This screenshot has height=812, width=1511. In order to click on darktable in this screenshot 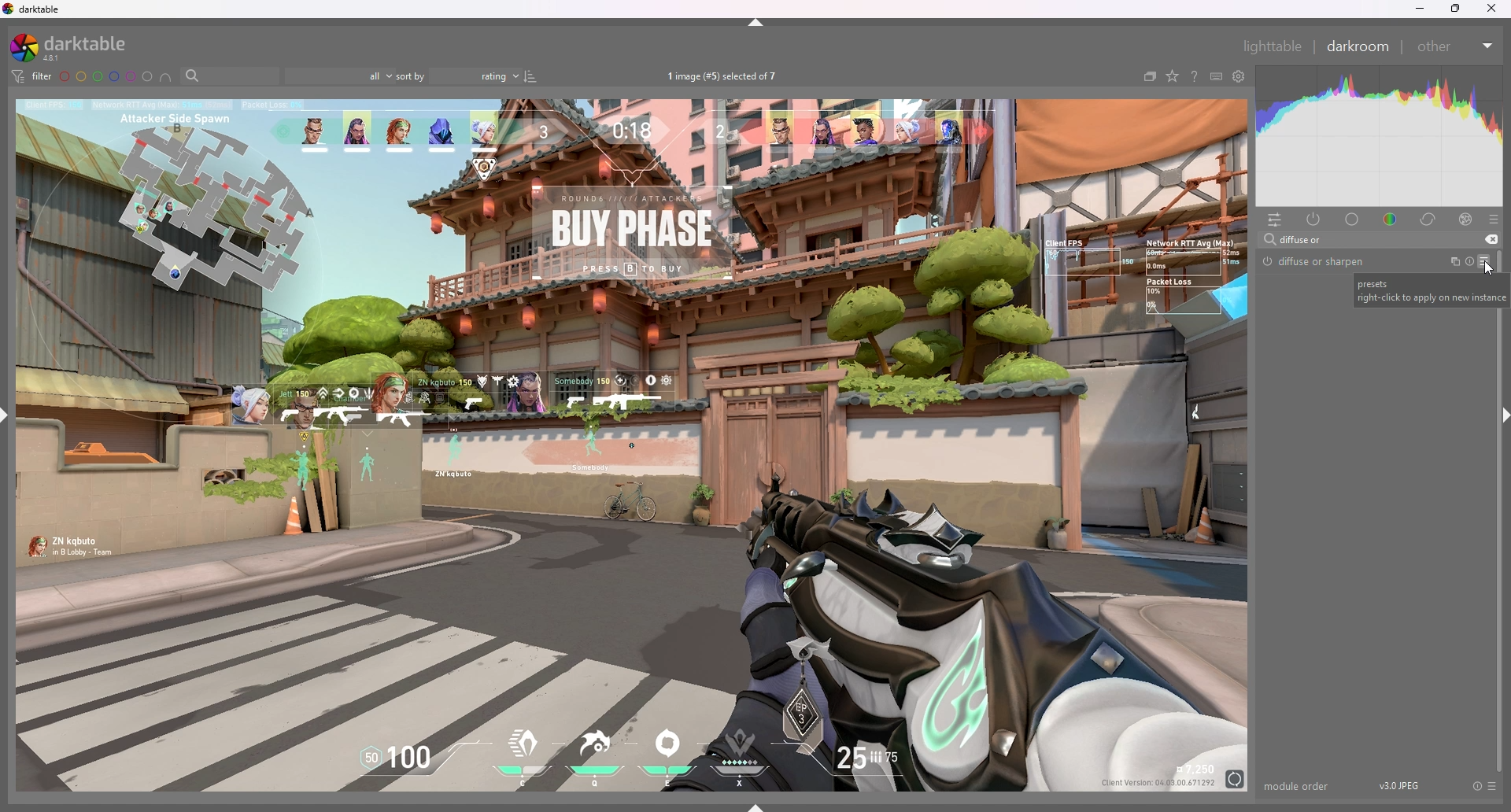, I will do `click(35, 9)`.